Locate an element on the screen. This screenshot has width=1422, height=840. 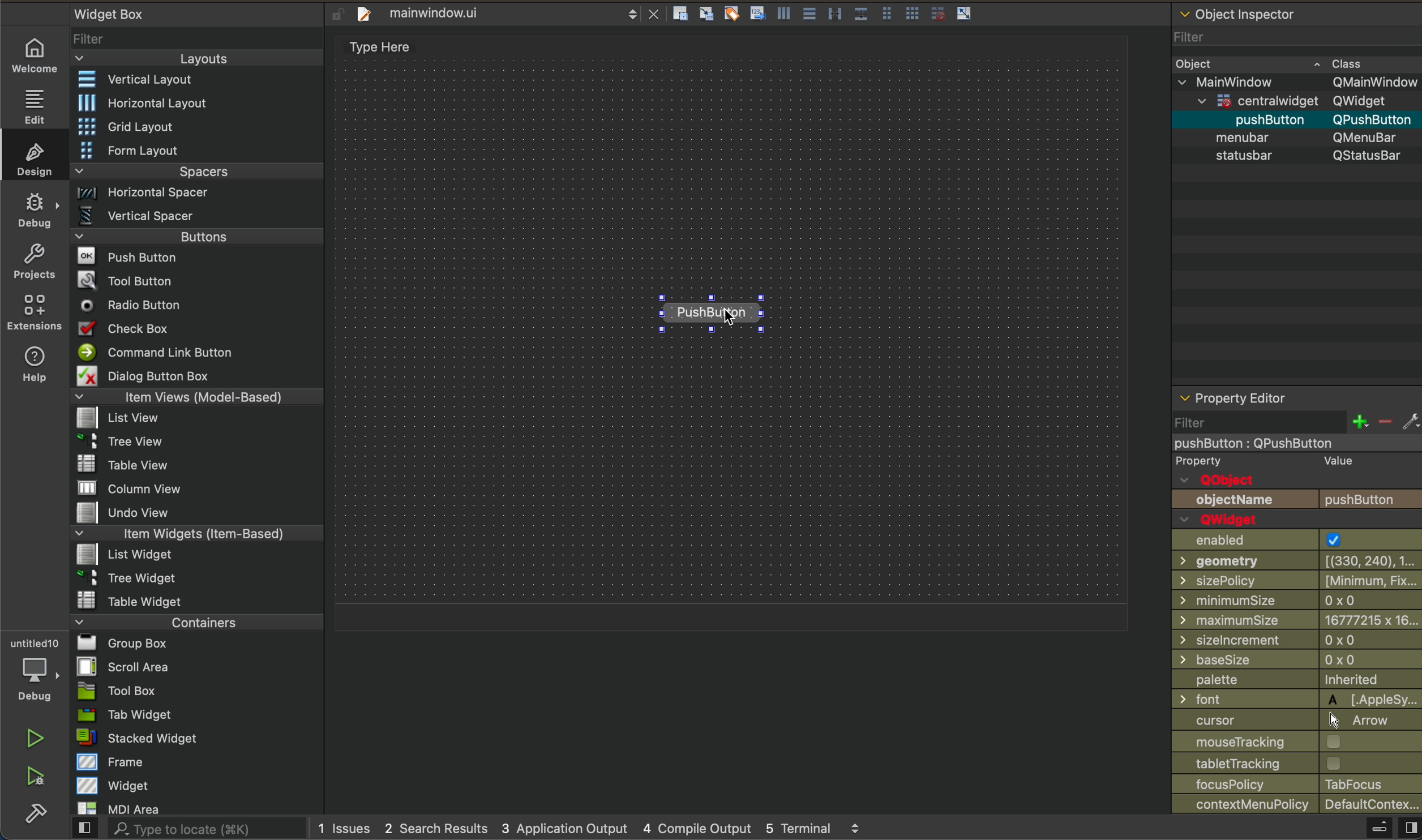
Vertical spacer is located at coordinates (193, 215).